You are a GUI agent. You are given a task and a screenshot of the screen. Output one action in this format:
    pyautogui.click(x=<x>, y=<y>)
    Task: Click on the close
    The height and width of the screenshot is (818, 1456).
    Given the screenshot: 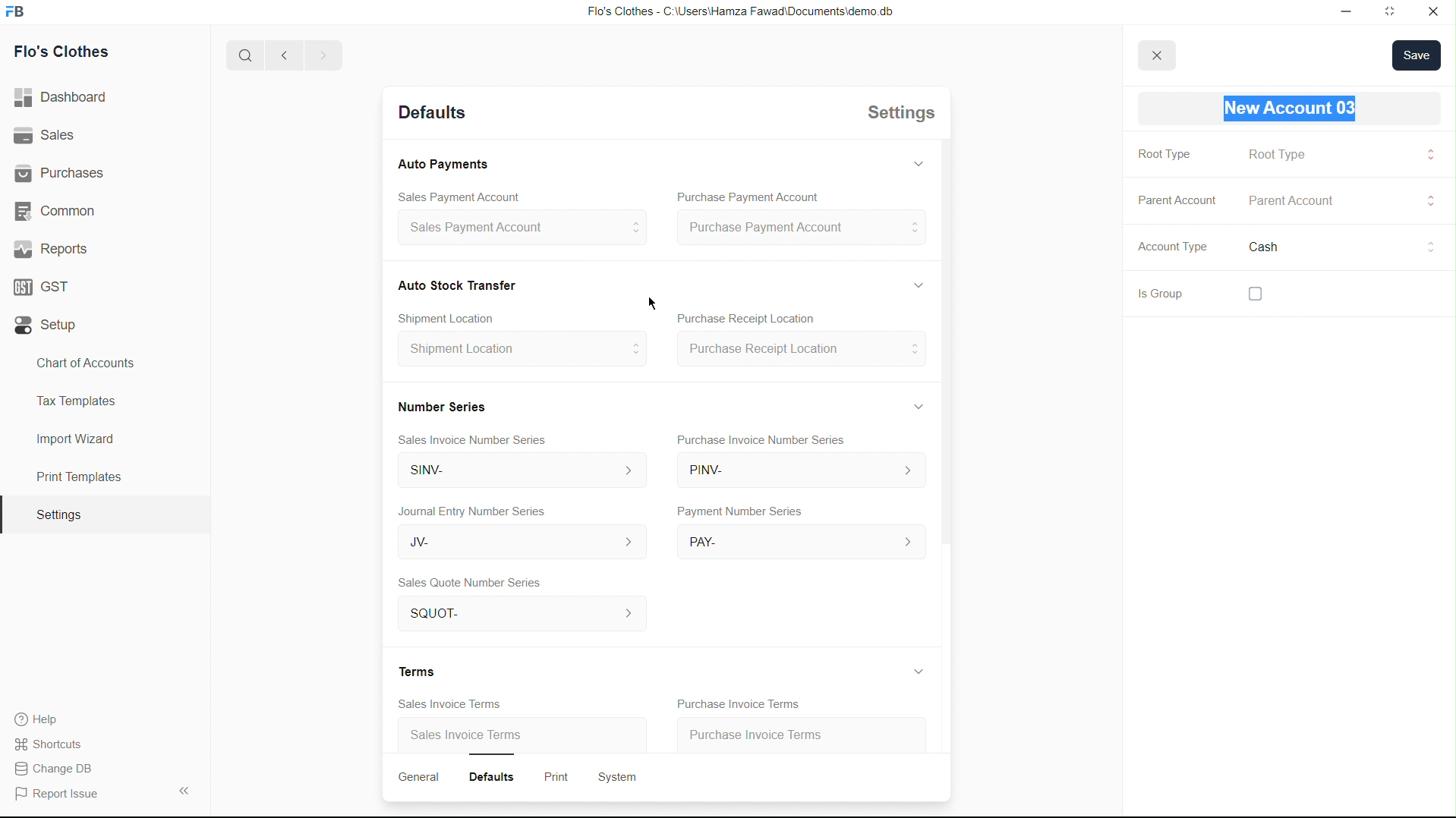 What is the action you would take?
    pyautogui.click(x=1158, y=53)
    